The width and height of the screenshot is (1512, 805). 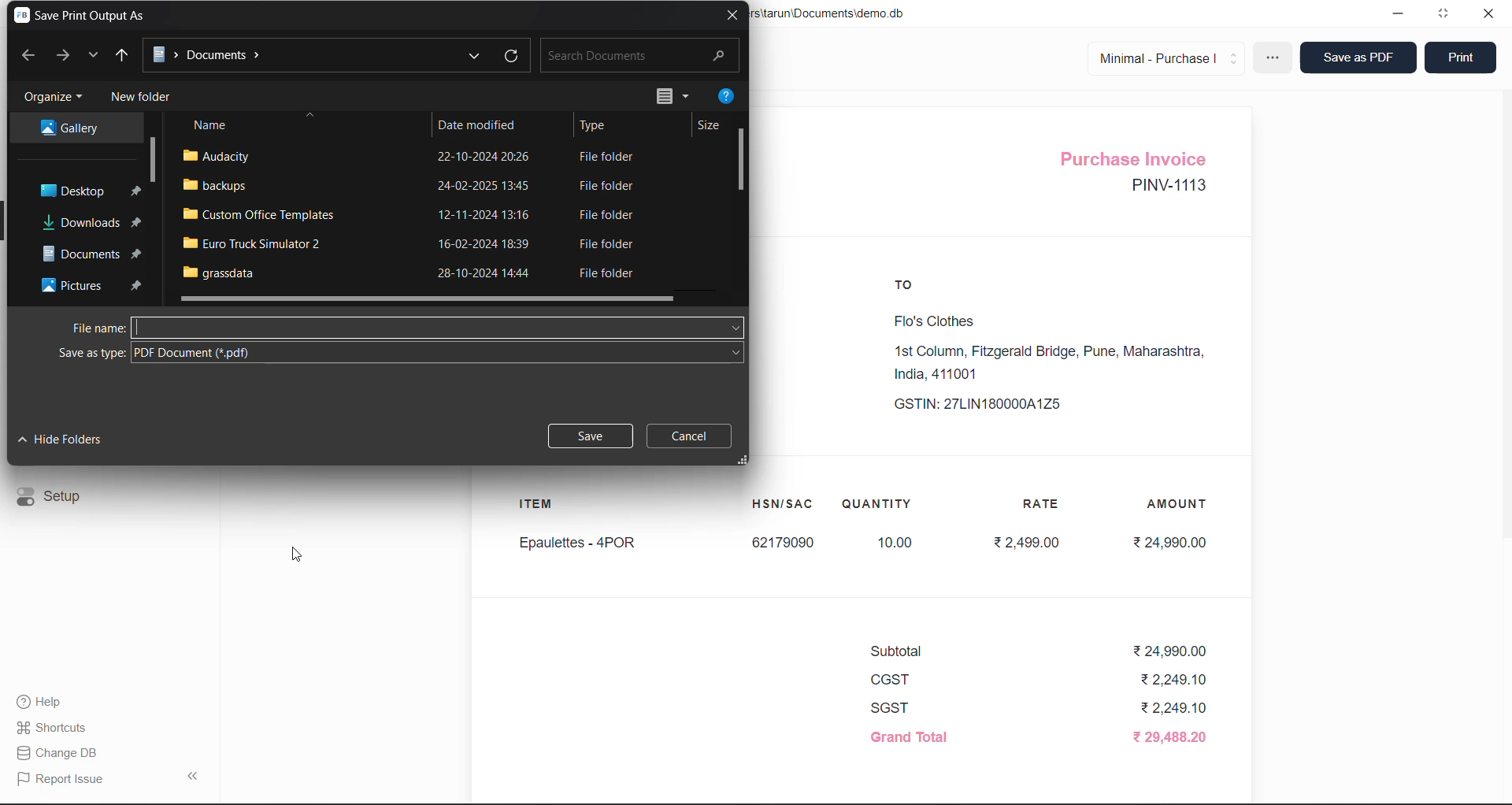 I want to click on help, so click(x=728, y=99).